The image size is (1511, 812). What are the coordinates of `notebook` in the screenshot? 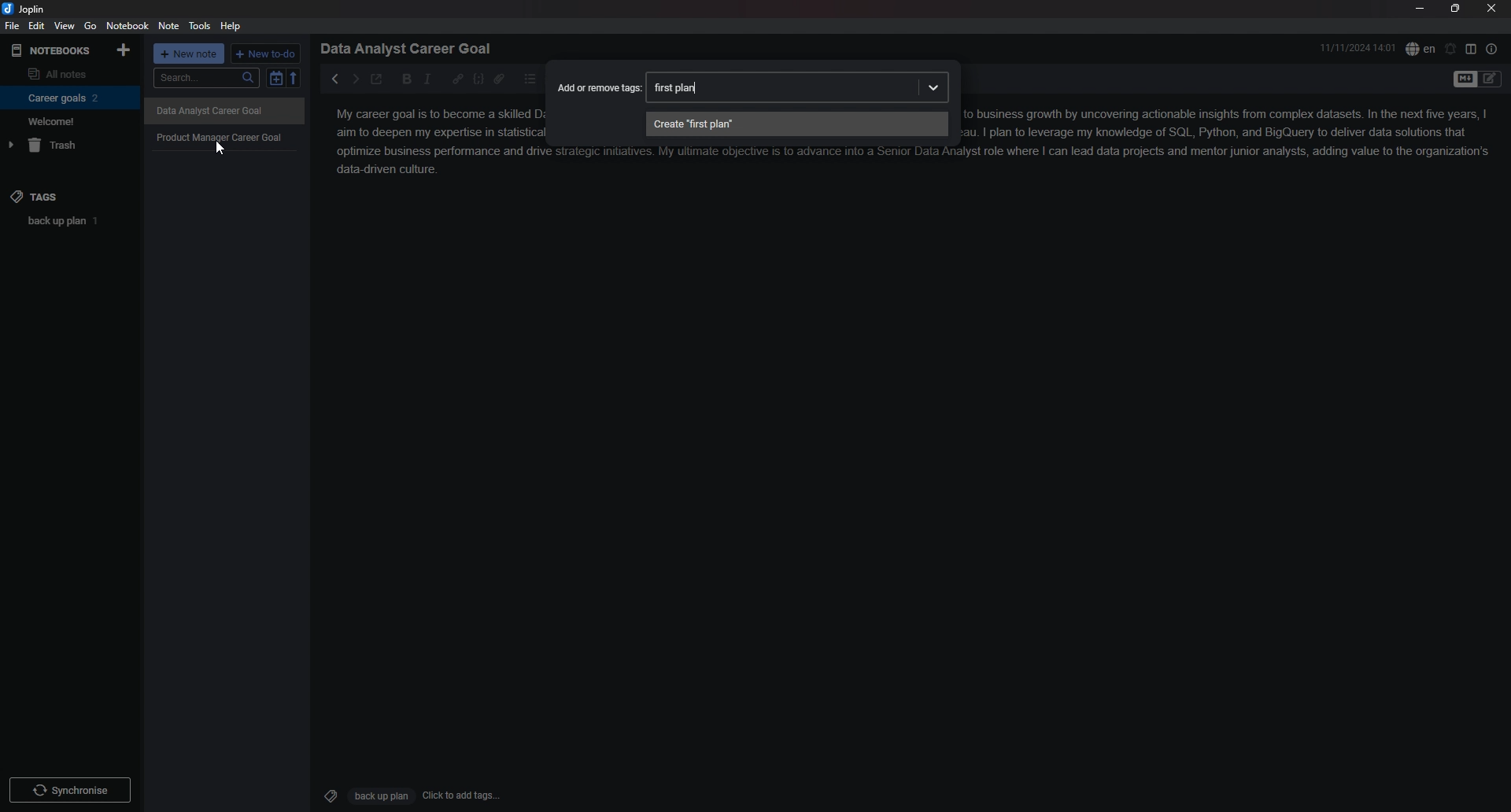 It's located at (127, 25).